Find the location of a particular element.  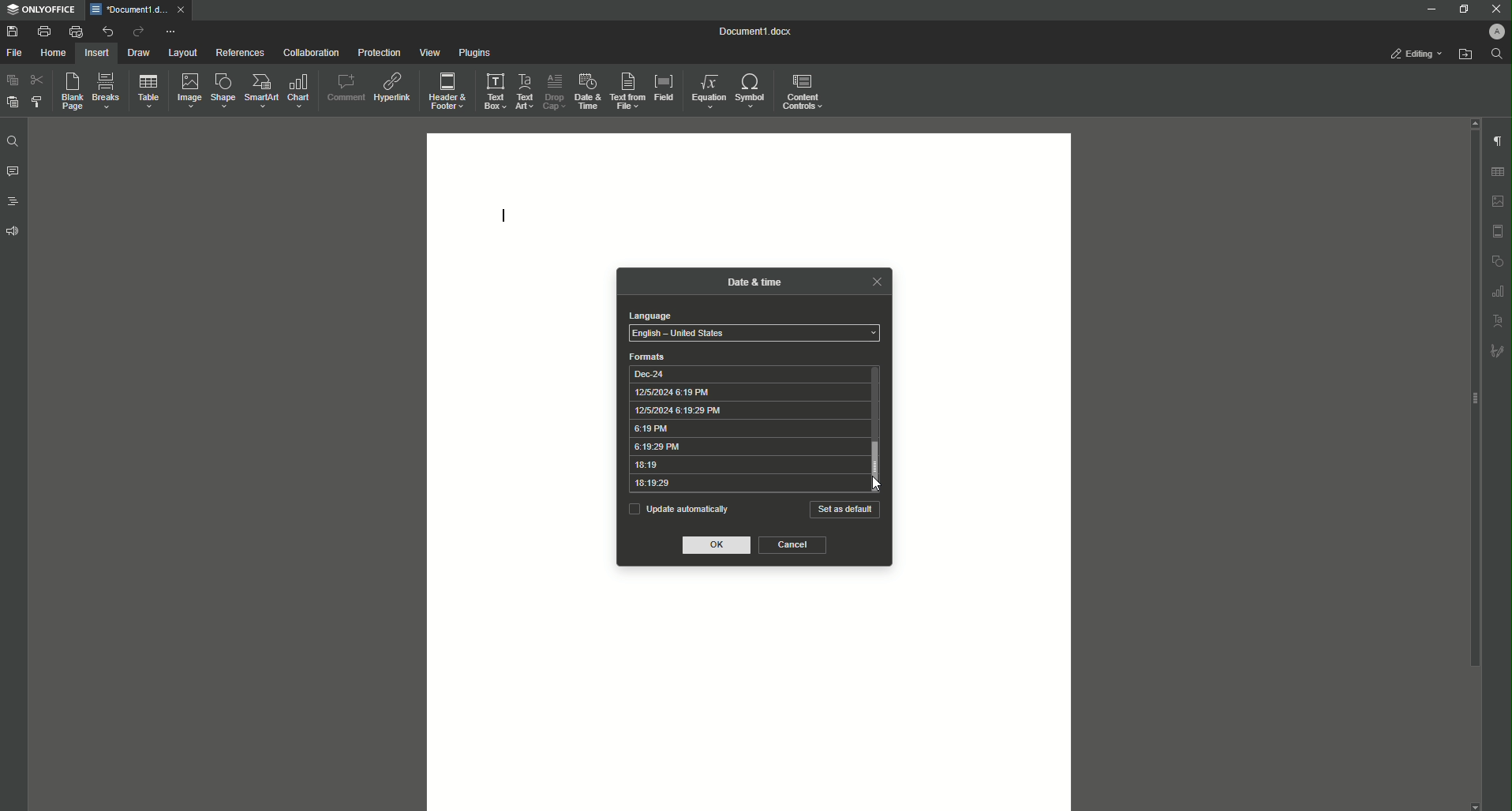

Layout is located at coordinates (183, 53).